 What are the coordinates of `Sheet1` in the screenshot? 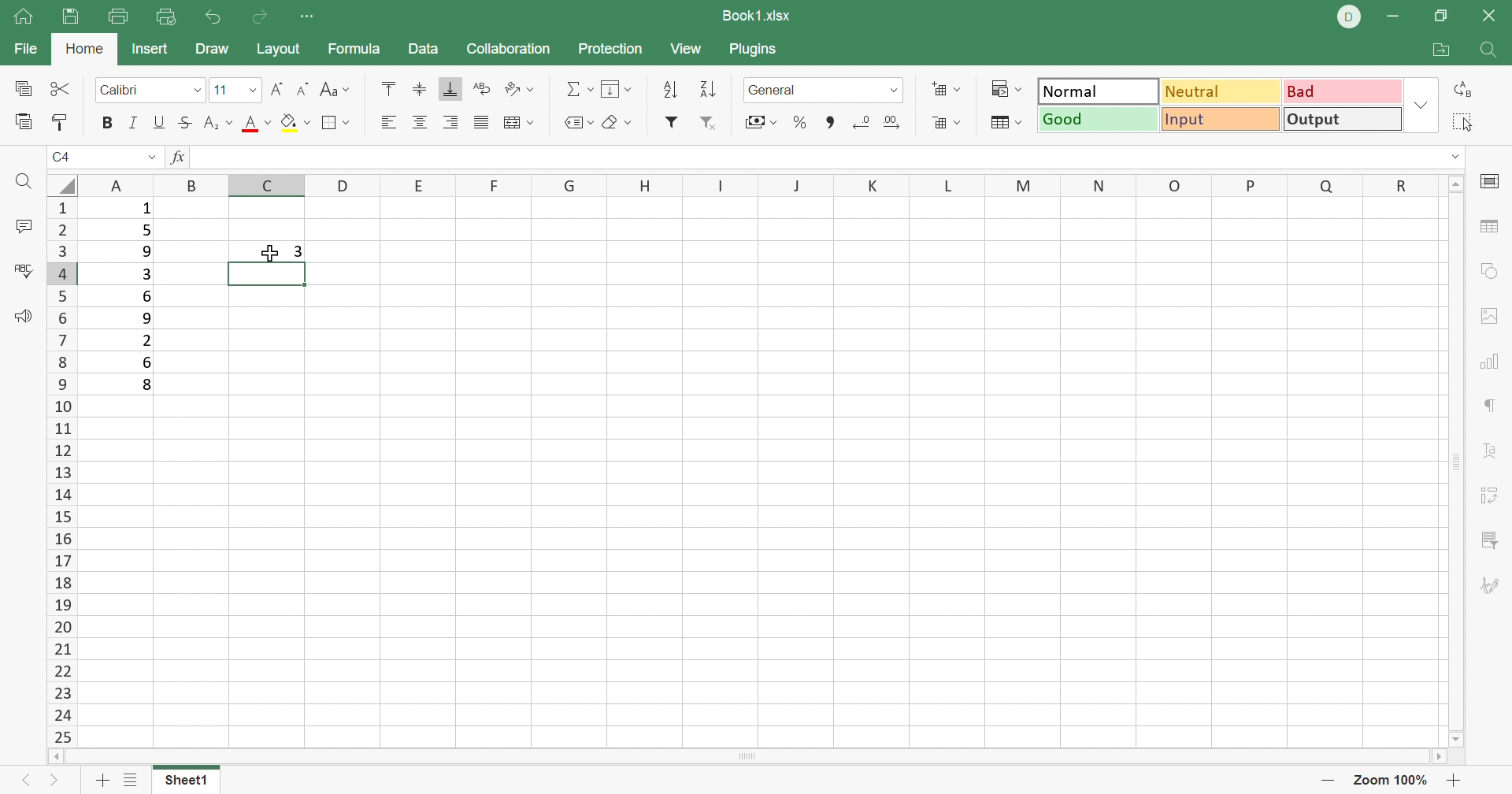 It's located at (187, 781).